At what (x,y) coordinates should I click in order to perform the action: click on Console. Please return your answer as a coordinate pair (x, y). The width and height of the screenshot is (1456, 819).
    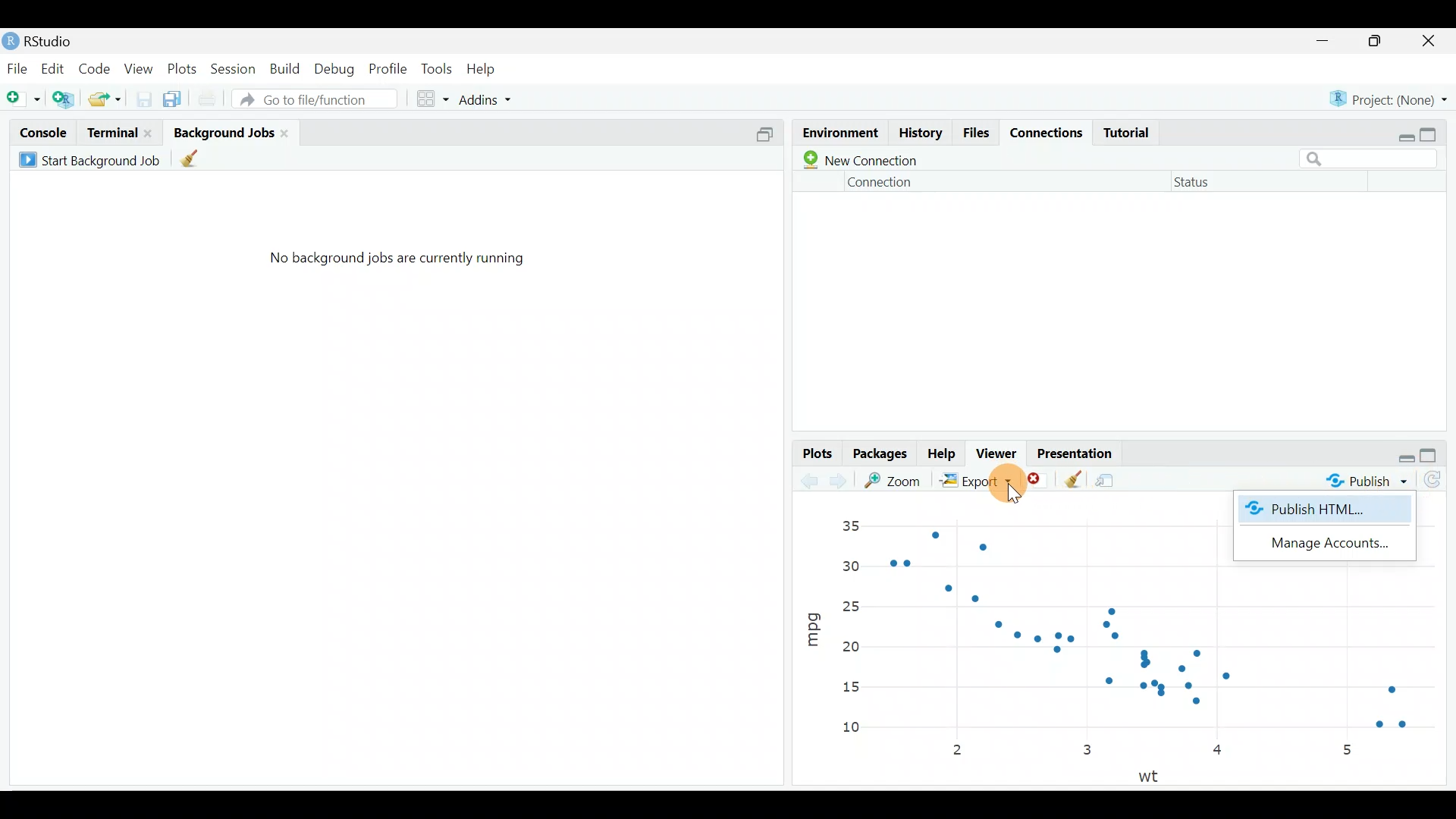
    Looking at the image, I should click on (42, 132).